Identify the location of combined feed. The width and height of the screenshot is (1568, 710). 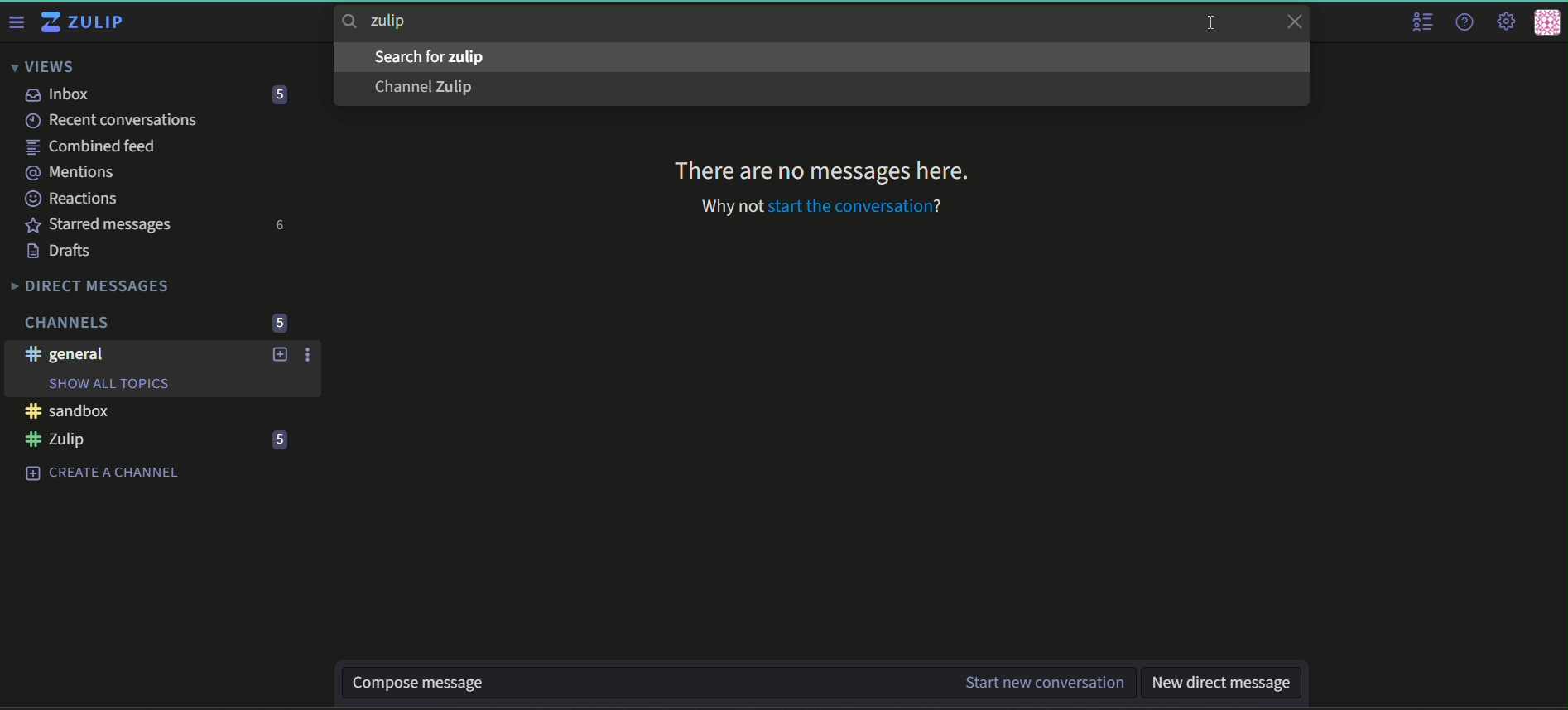
(90, 146).